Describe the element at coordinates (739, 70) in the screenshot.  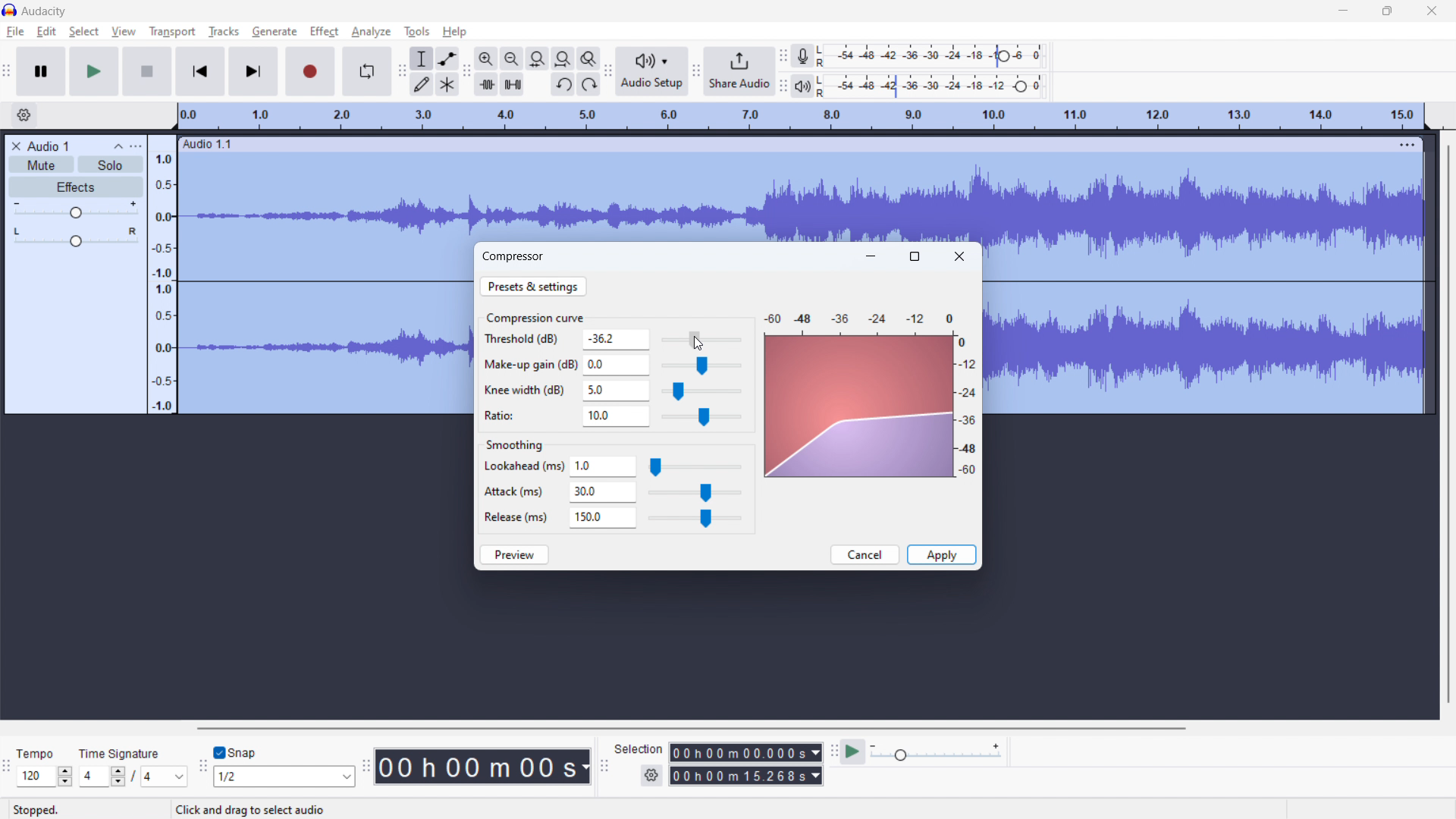
I see `share audio` at that location.